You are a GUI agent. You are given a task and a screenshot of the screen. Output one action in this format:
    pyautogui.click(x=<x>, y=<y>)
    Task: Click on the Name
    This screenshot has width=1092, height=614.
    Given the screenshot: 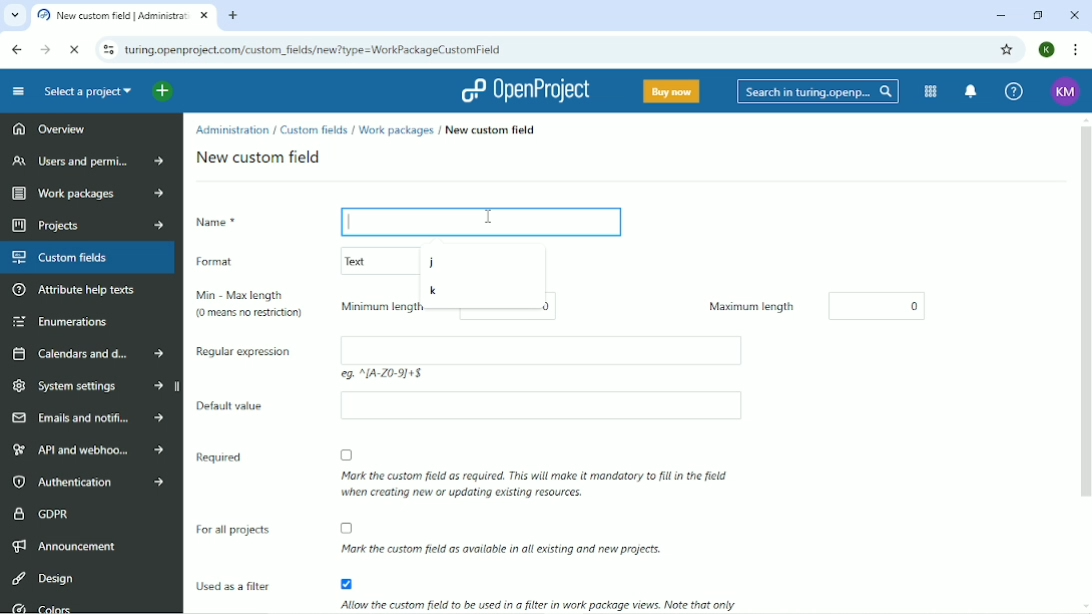 What is the action you would take?
    pyautogui.click(x=239, y=225)
    